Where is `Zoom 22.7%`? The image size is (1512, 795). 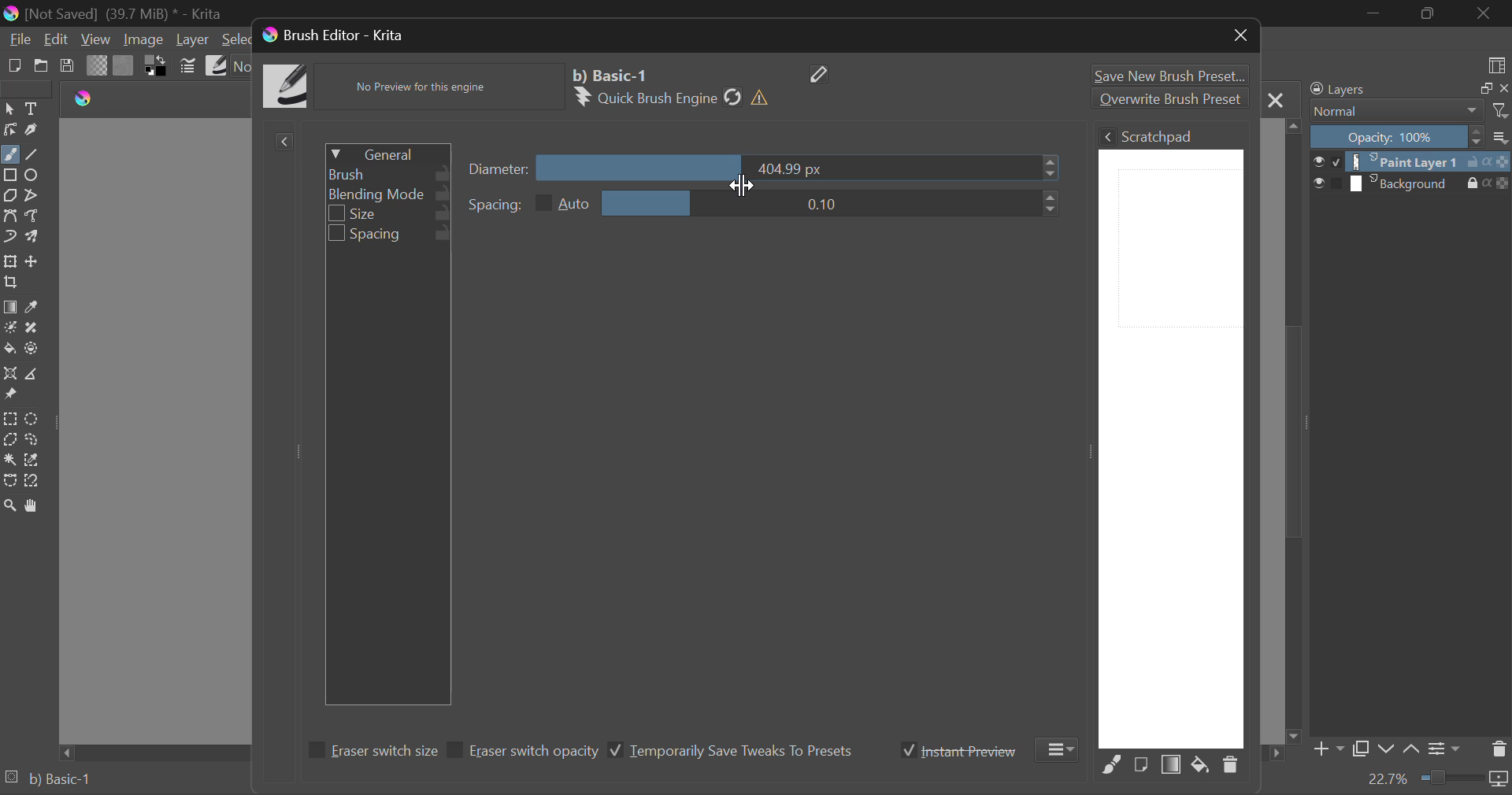
Zoom 22.7% is located at coordinates (1435, 780).